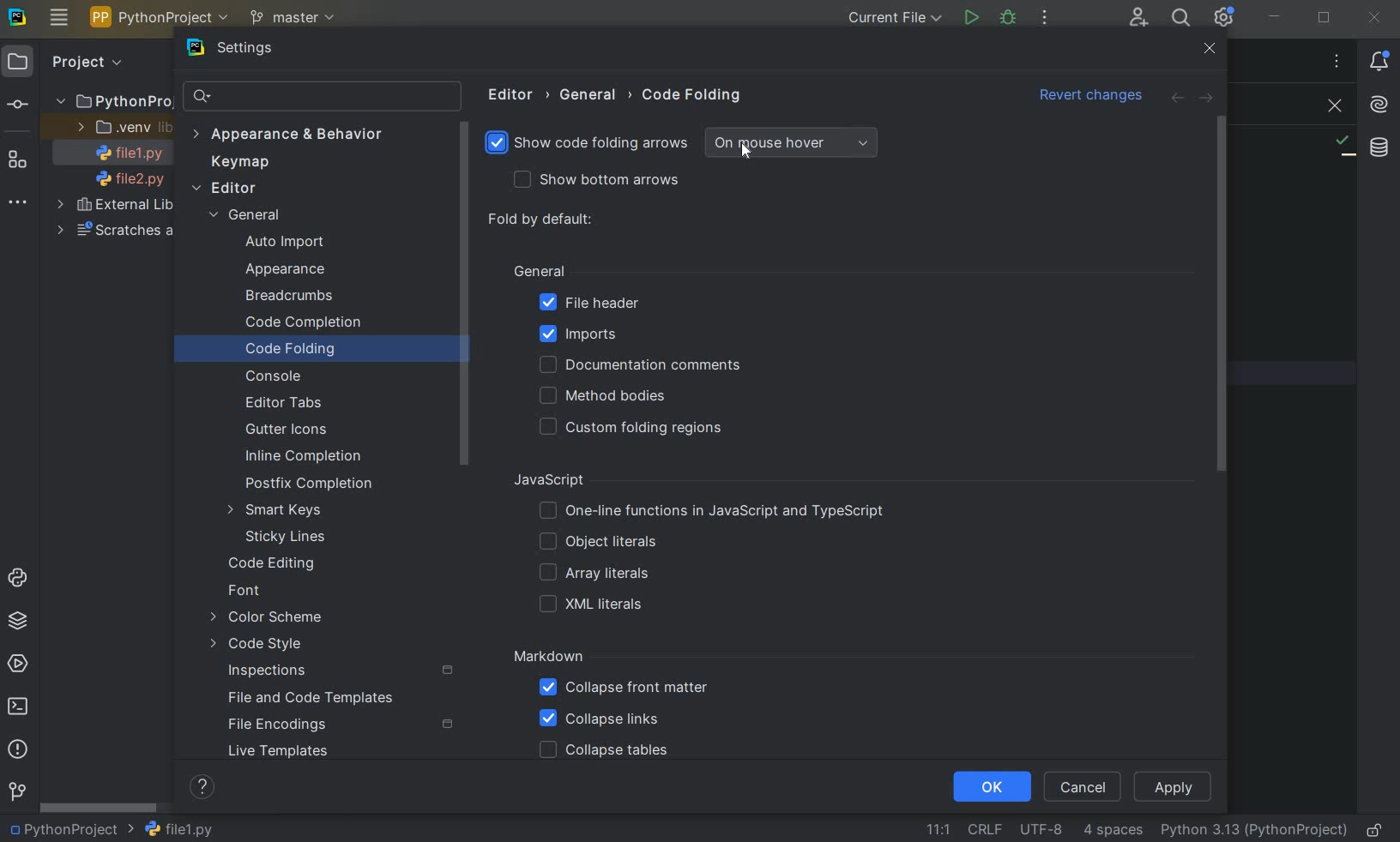 Image resolution: width=1400 pixels, height=842 pixels. I want to click on CODE STYLE, so click(284, 644).